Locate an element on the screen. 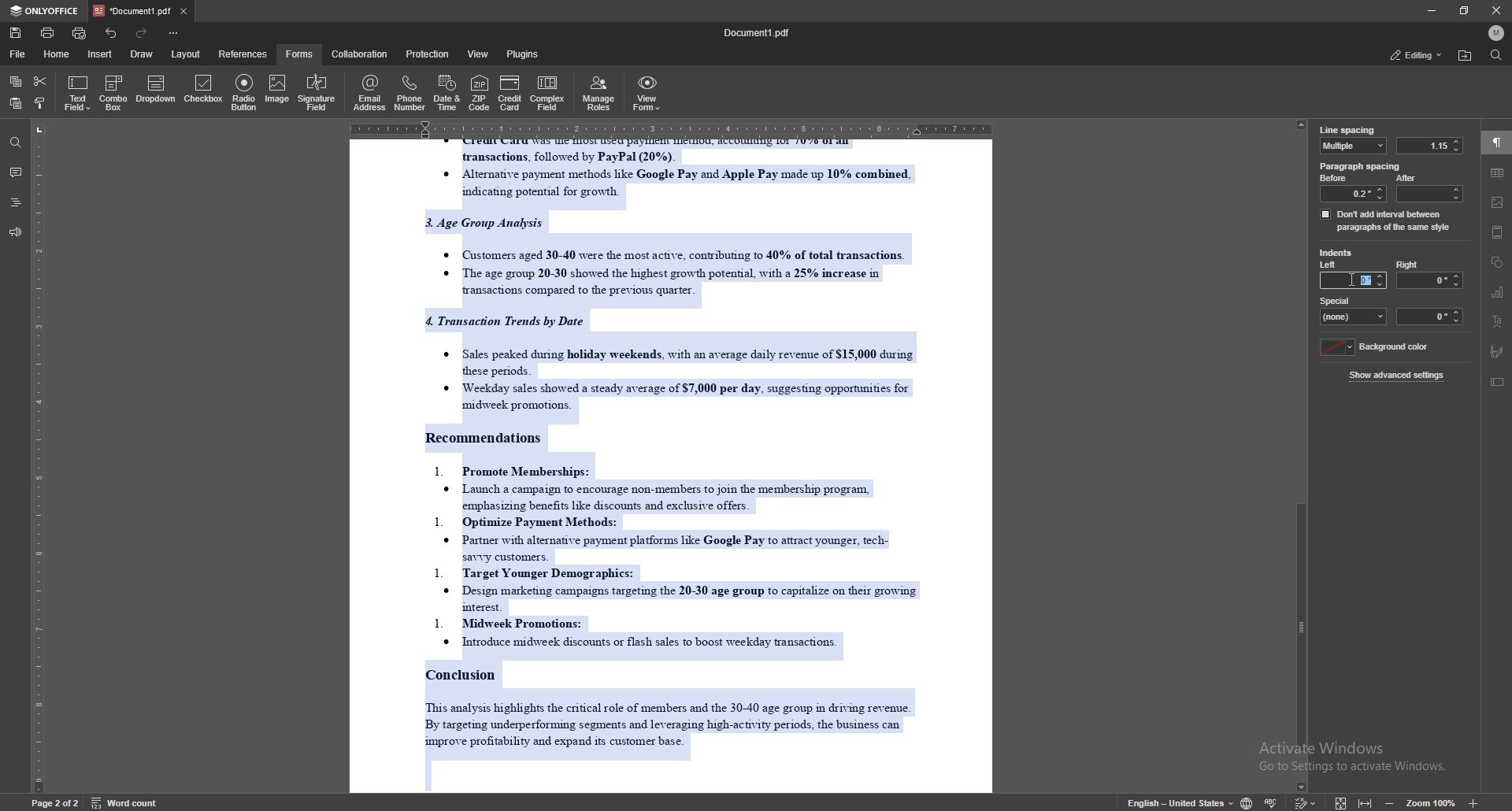 The image size is (1512, 811). vertical scale is located at coordinates (39, 456).